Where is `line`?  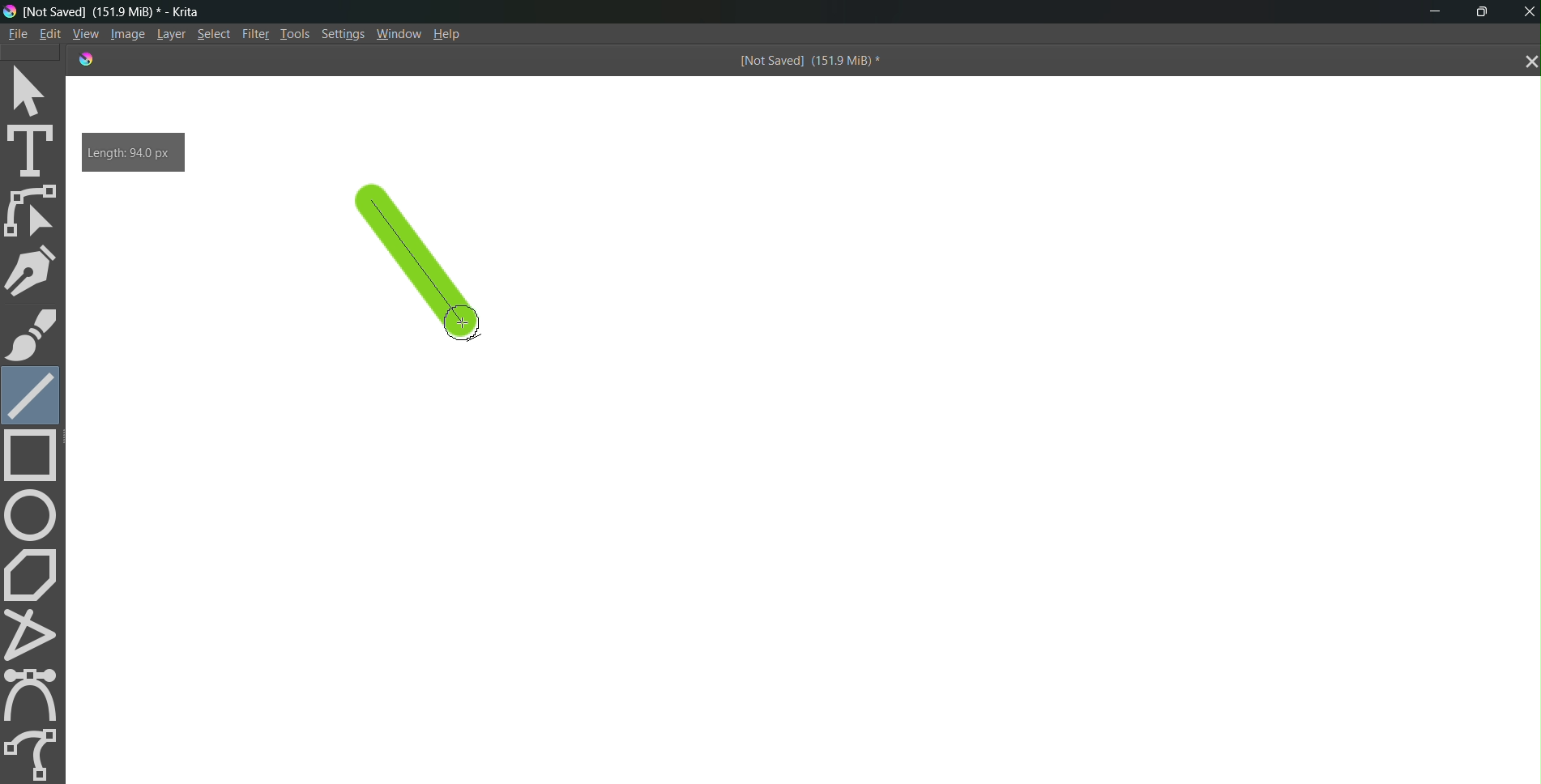 line is located at coordinates (31, 393).